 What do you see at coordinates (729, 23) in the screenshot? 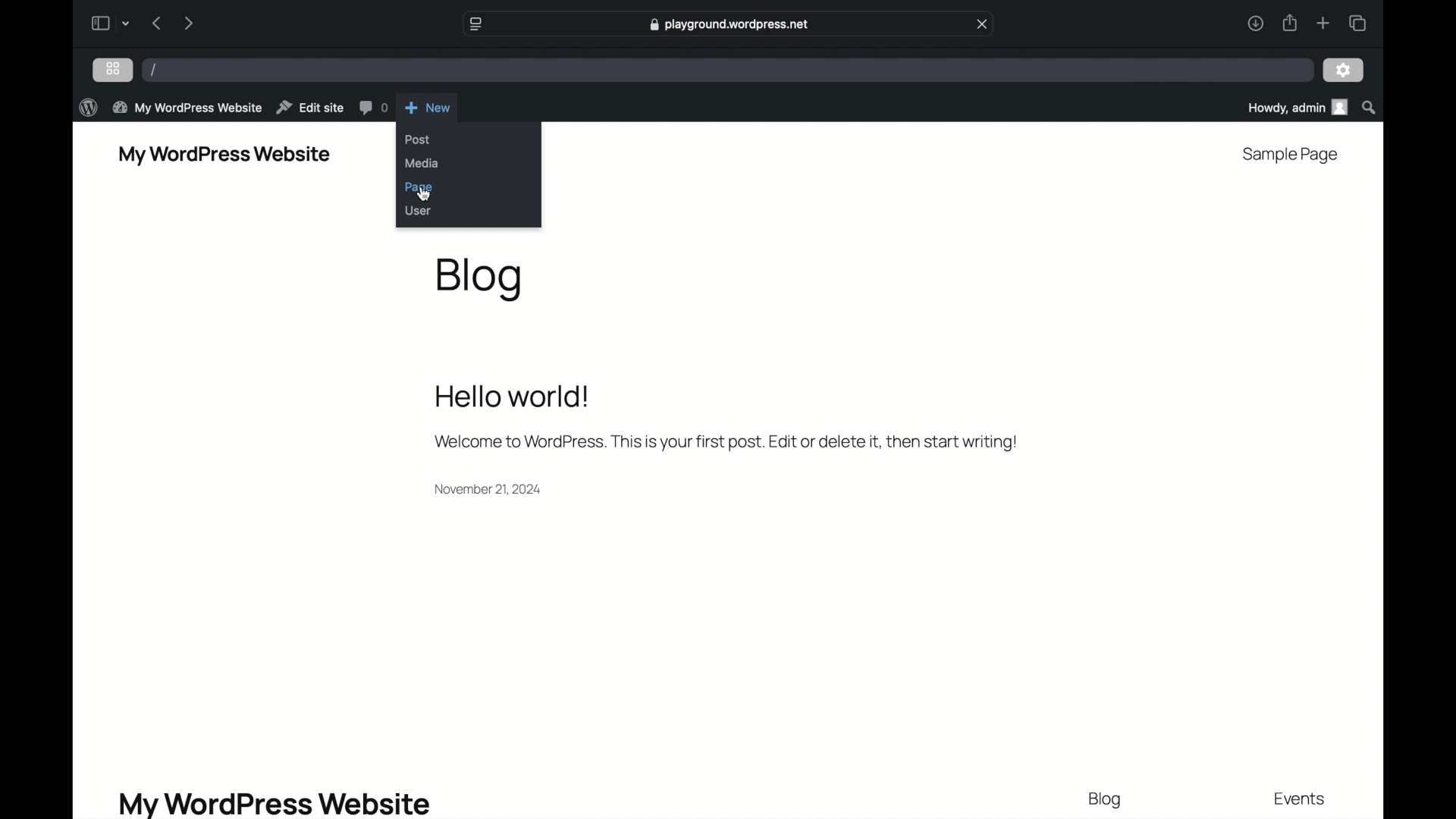
I see `web address` at bounding box center [729, 23].